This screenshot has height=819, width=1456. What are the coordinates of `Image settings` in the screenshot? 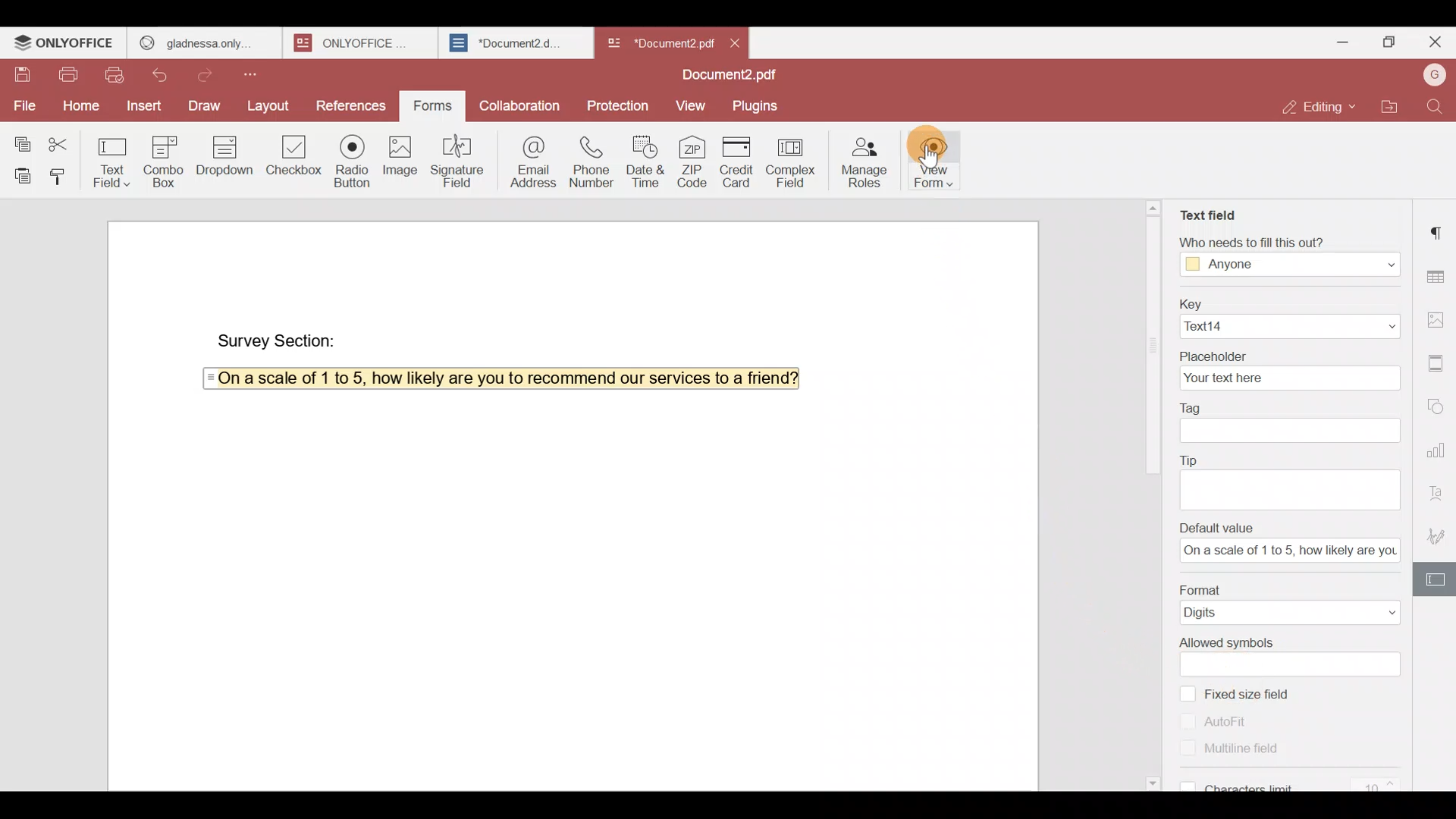 It's located at (1438, 315).